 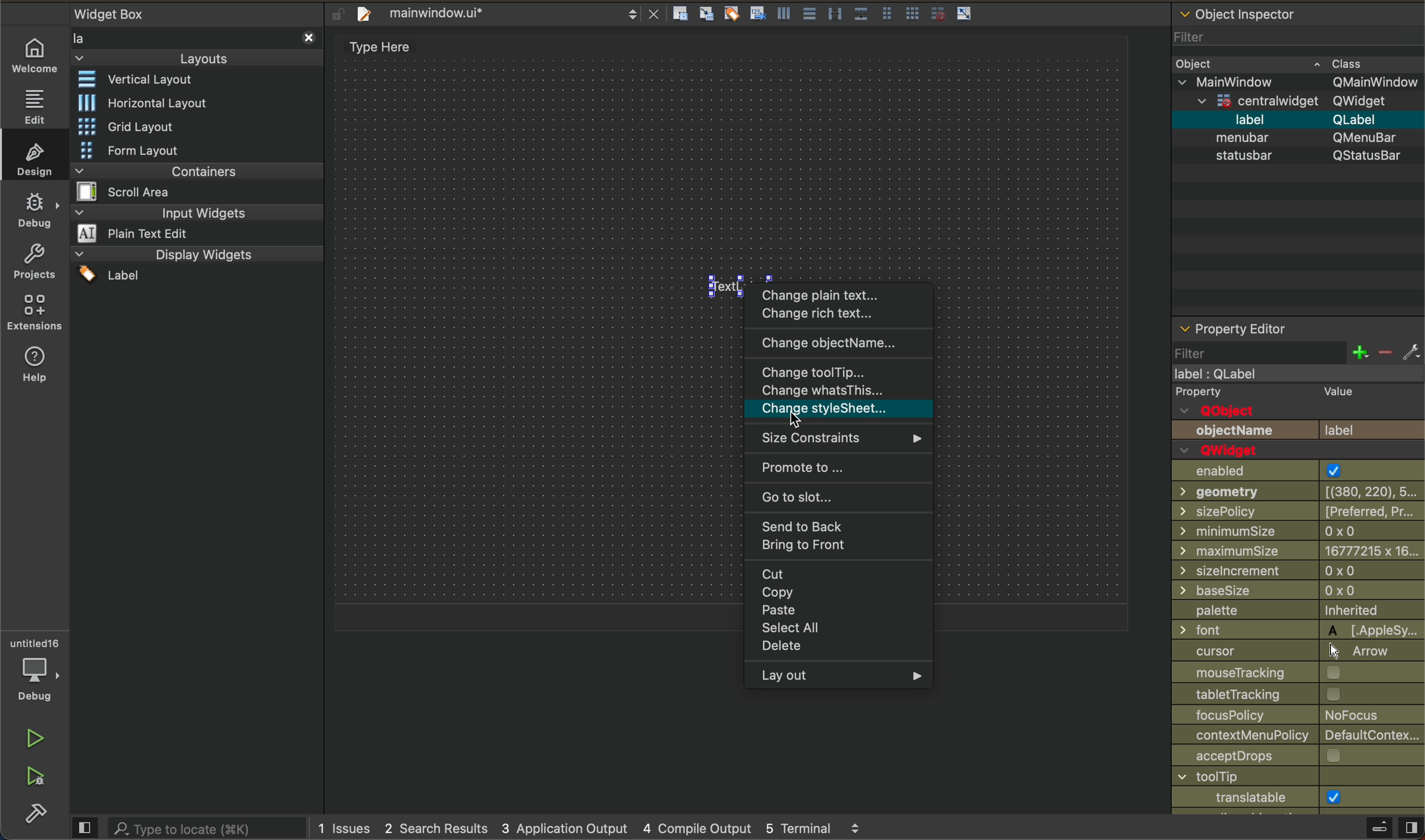 I want to click on Qobject, so click(x=1299, y=402).